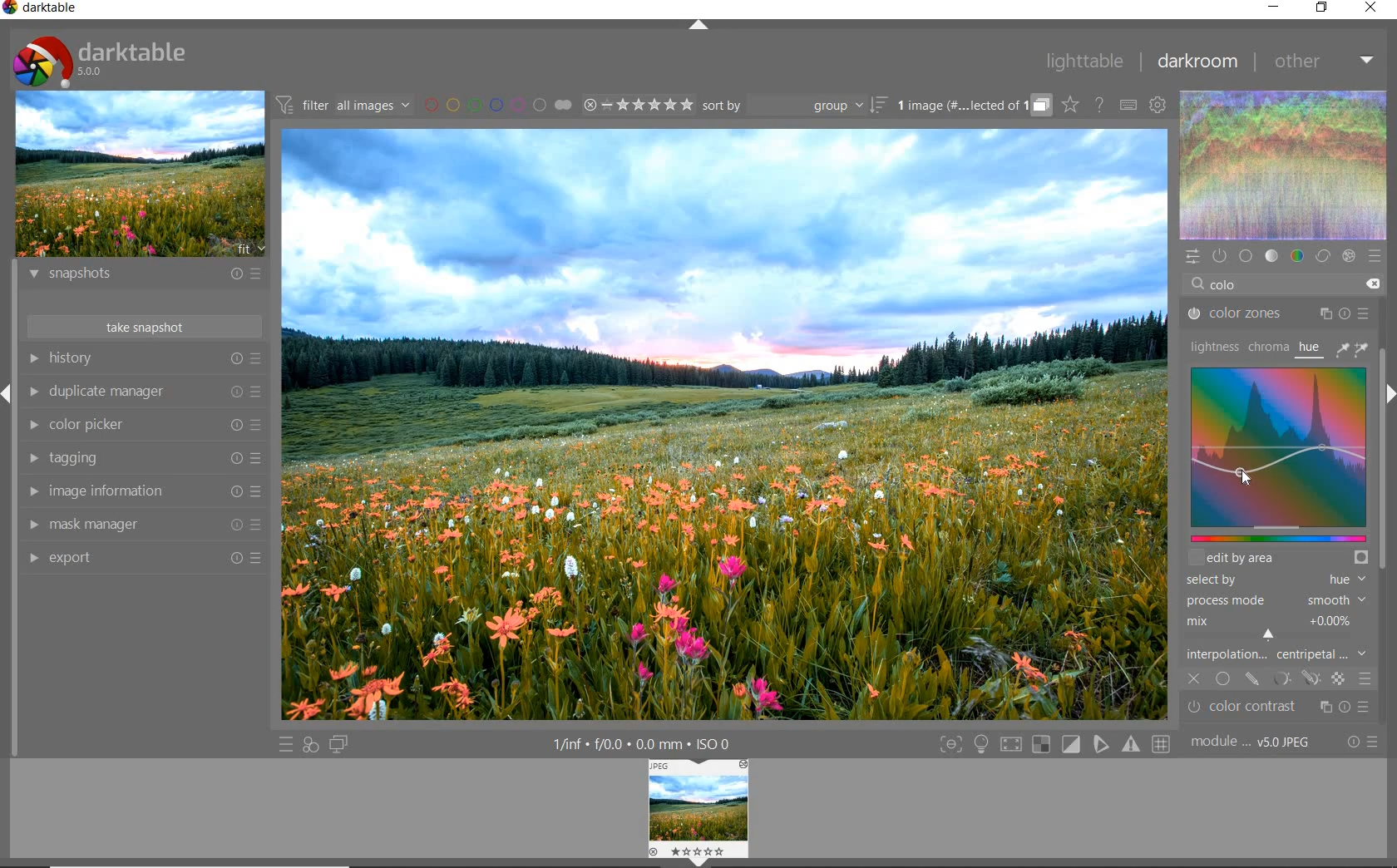  I want to click on filter images by color labels, so click(496, 105).